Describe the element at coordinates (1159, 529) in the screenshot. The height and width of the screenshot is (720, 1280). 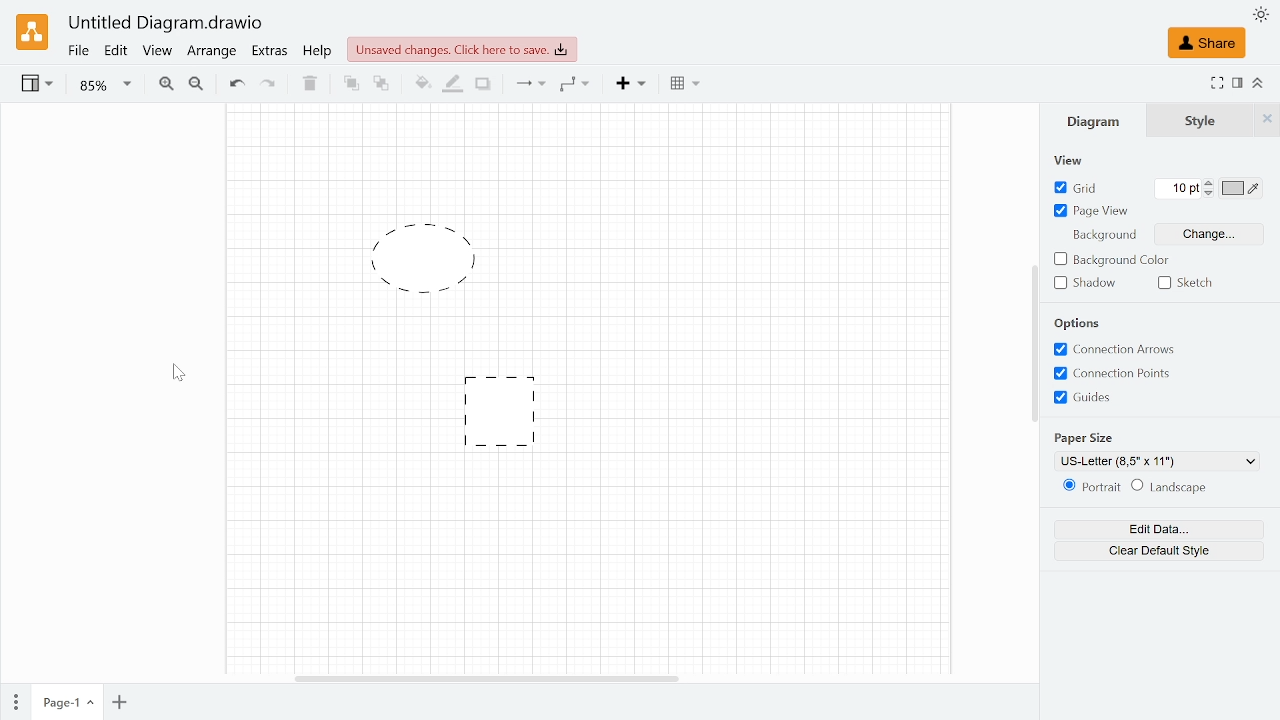
I see `Edit data` at that location.